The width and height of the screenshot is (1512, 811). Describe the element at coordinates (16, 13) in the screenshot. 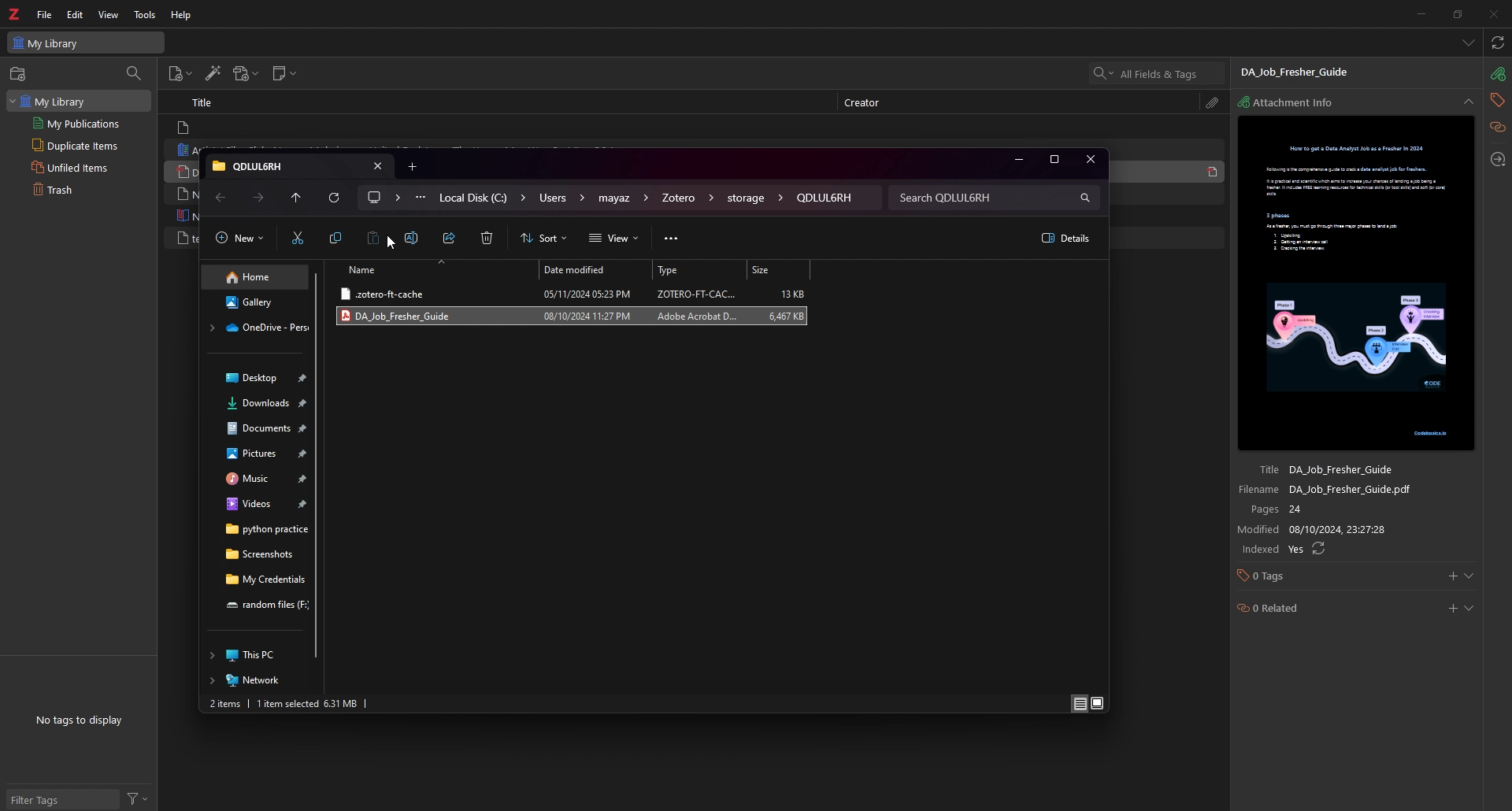

I see `zotero` at that location.